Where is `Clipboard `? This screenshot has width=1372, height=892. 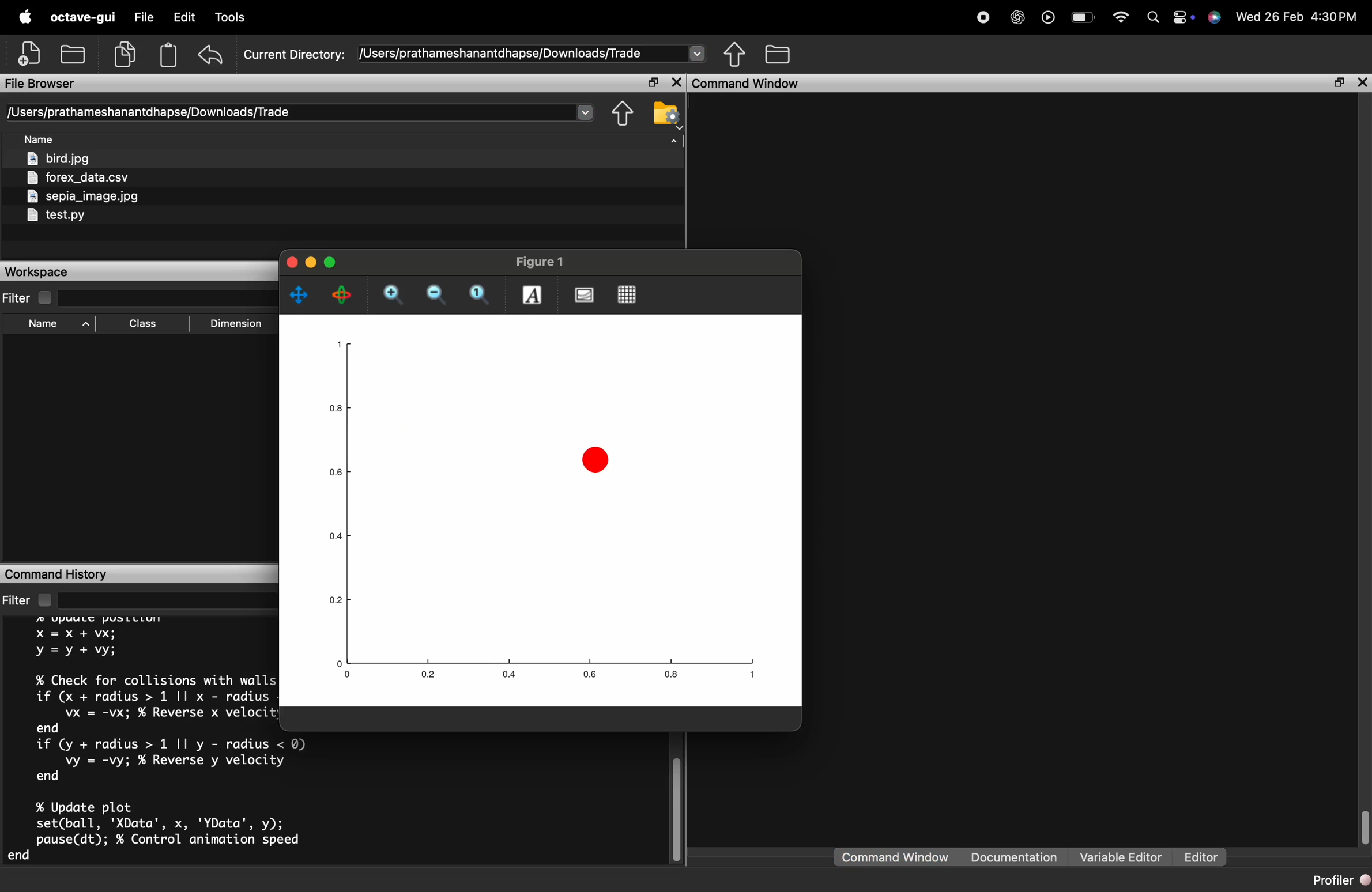 Clipboard  is located at coordinates (168, 54).